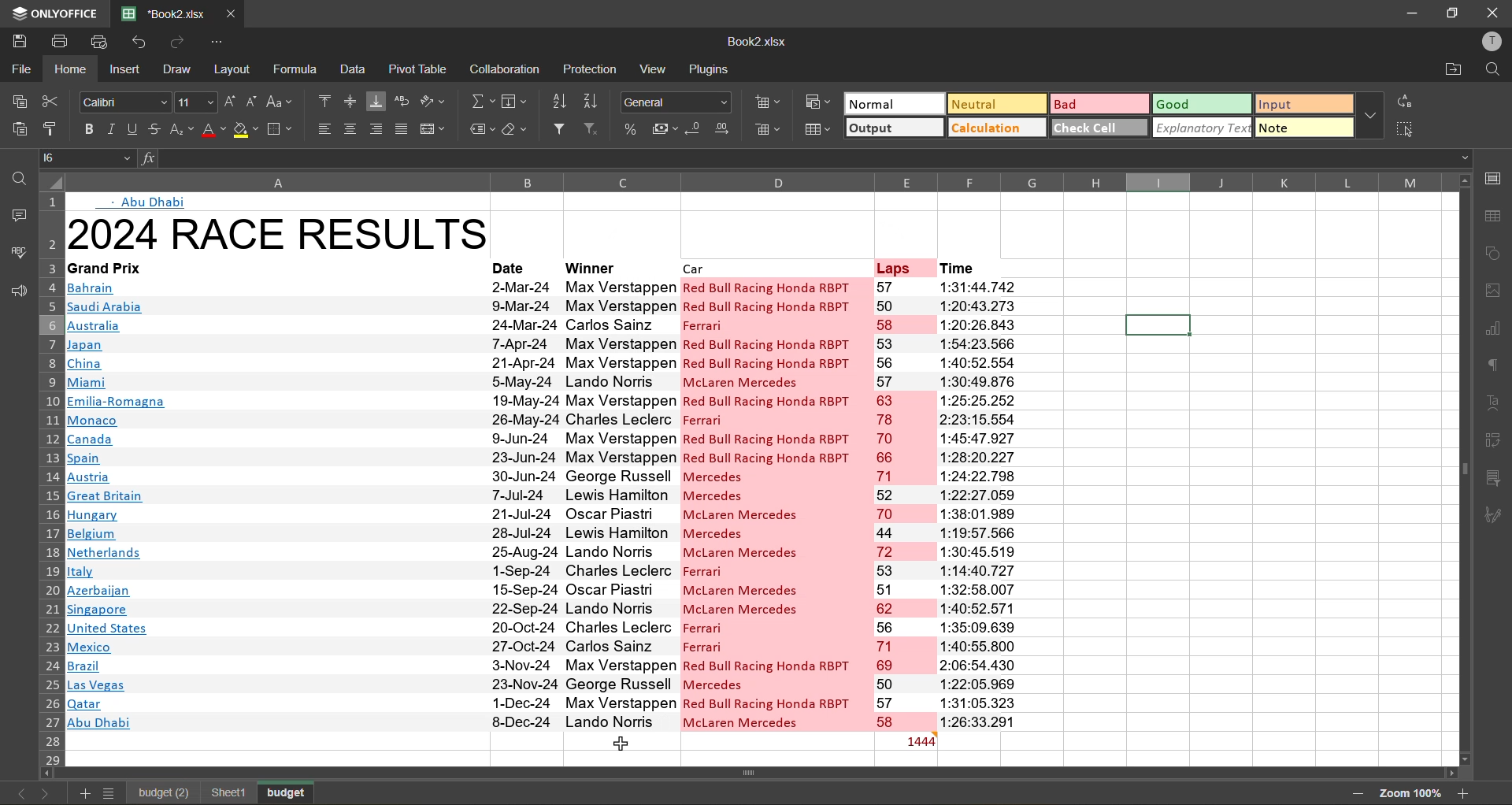 Image resolution: width=1512 pixels, height=805 pixels. What do you see at coordinates (406, 102) in the screenshot?
I see `wrap text` at bounding box center [406, 102].